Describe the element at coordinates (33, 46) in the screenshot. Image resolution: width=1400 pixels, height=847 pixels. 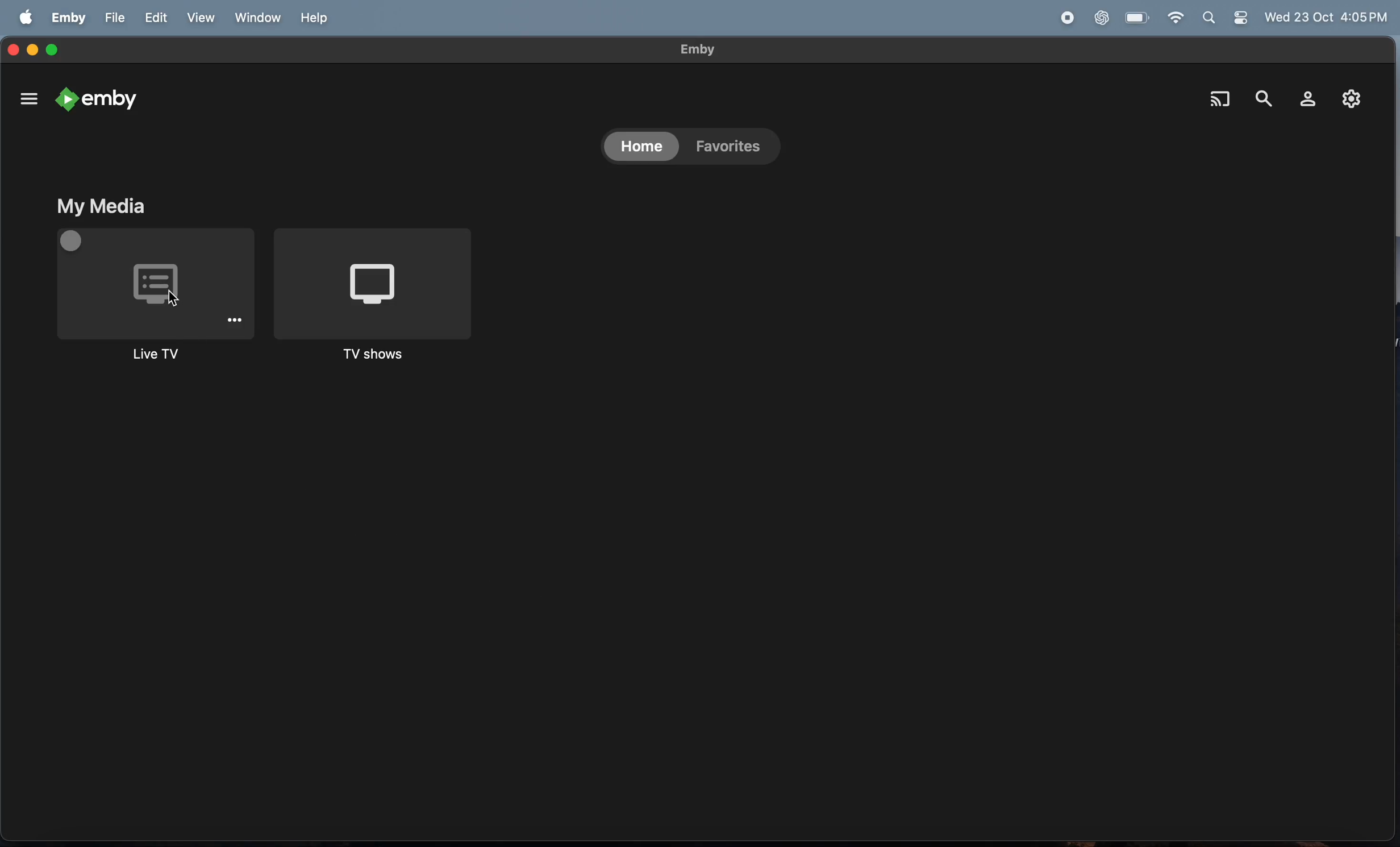
I see `minimize` at that location.